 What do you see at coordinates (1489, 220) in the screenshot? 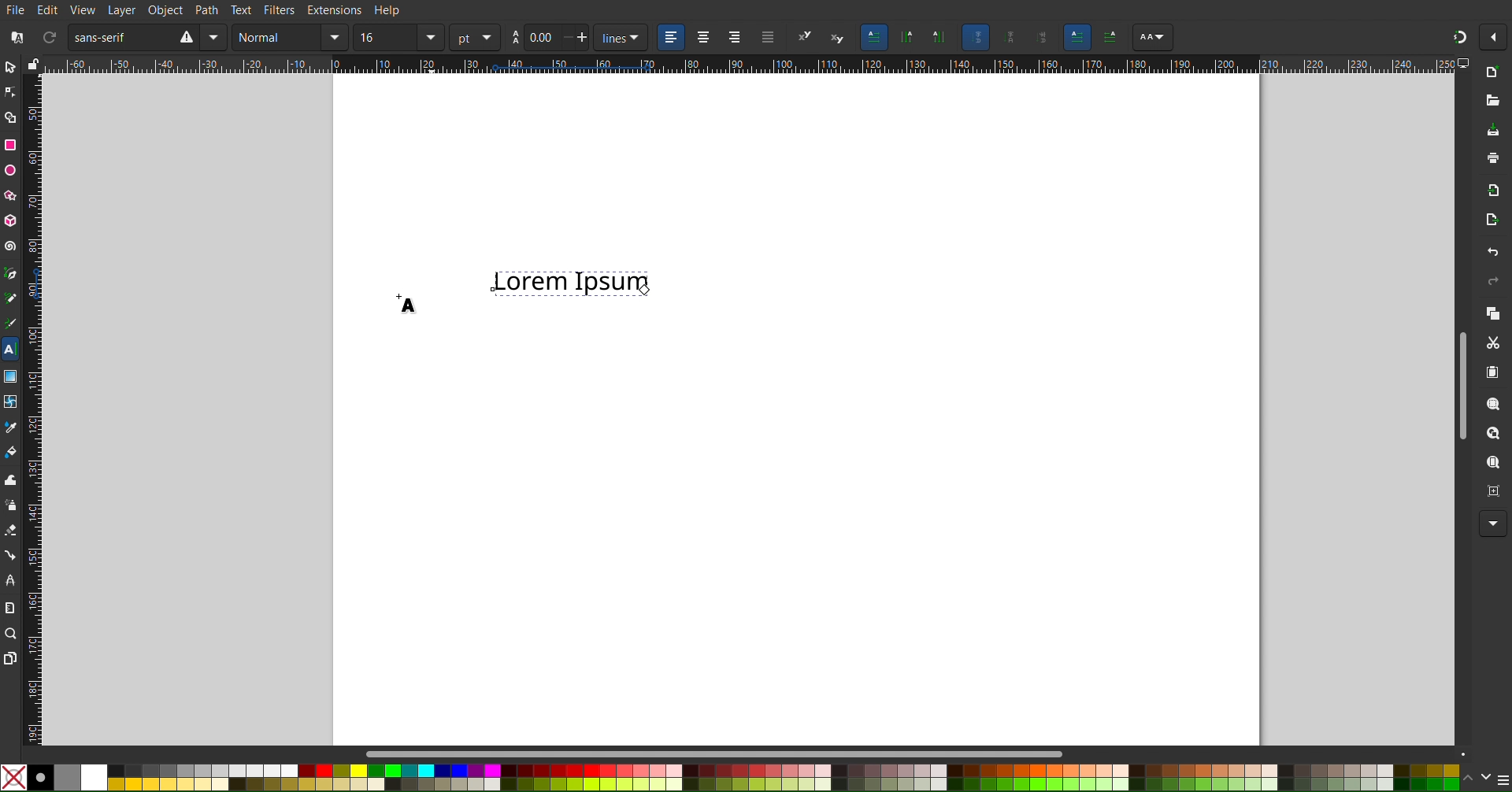
I see `Open Export` at bounding box center [1489, 220].